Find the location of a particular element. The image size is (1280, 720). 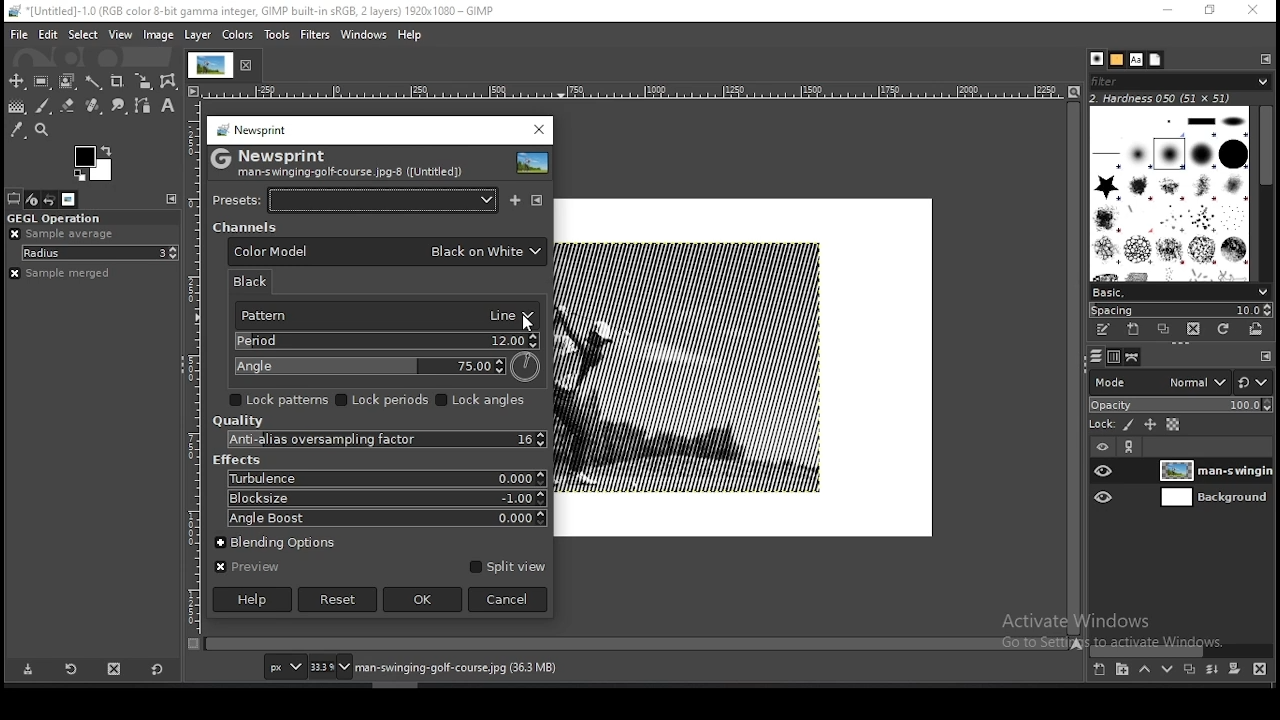

mouse pointer is located at coordinates (531, 325).